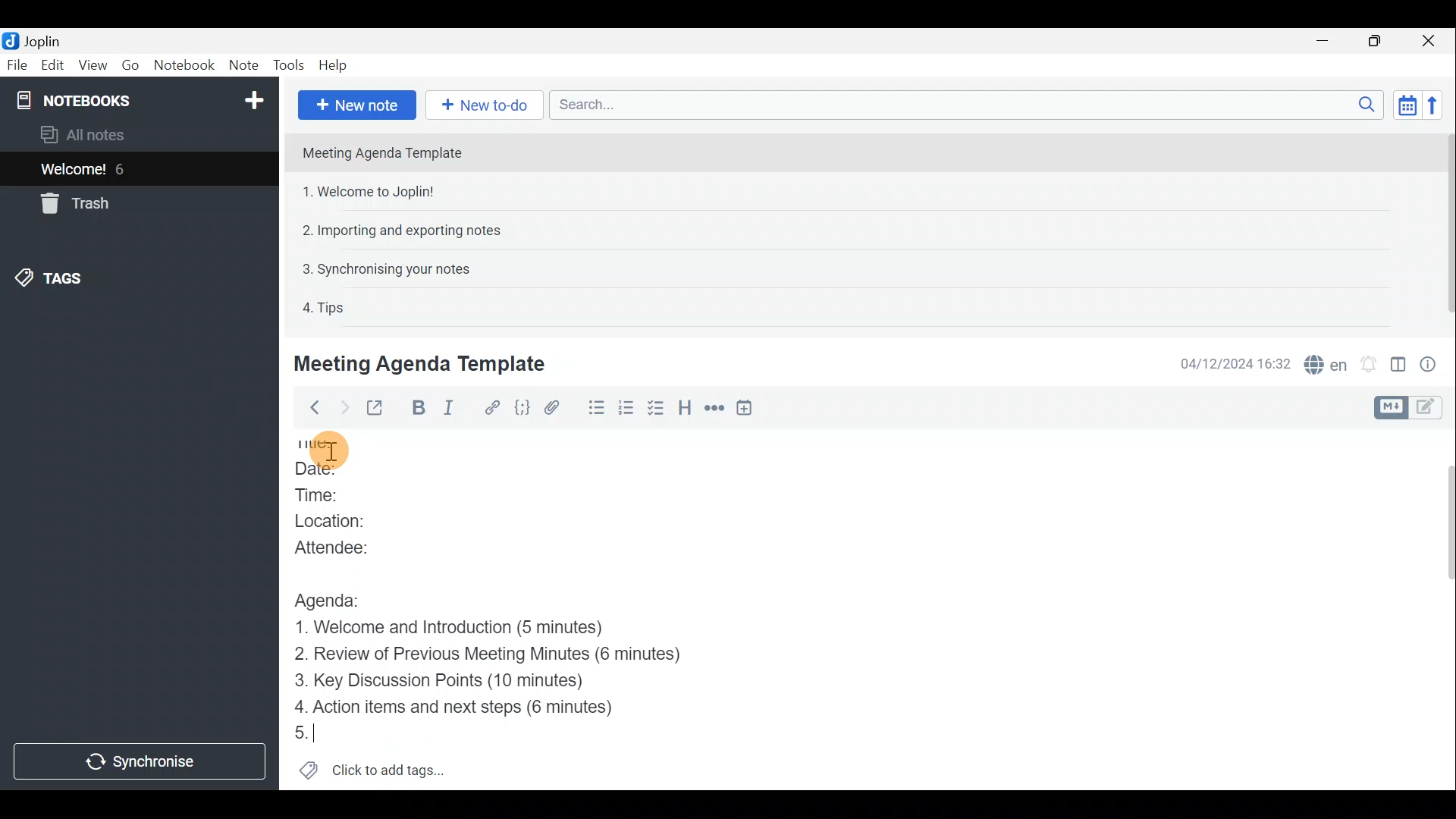  What do you see at coordinates (481, 105) in the screenshot?
I see `New to-do` at bounding box center [481, 105].